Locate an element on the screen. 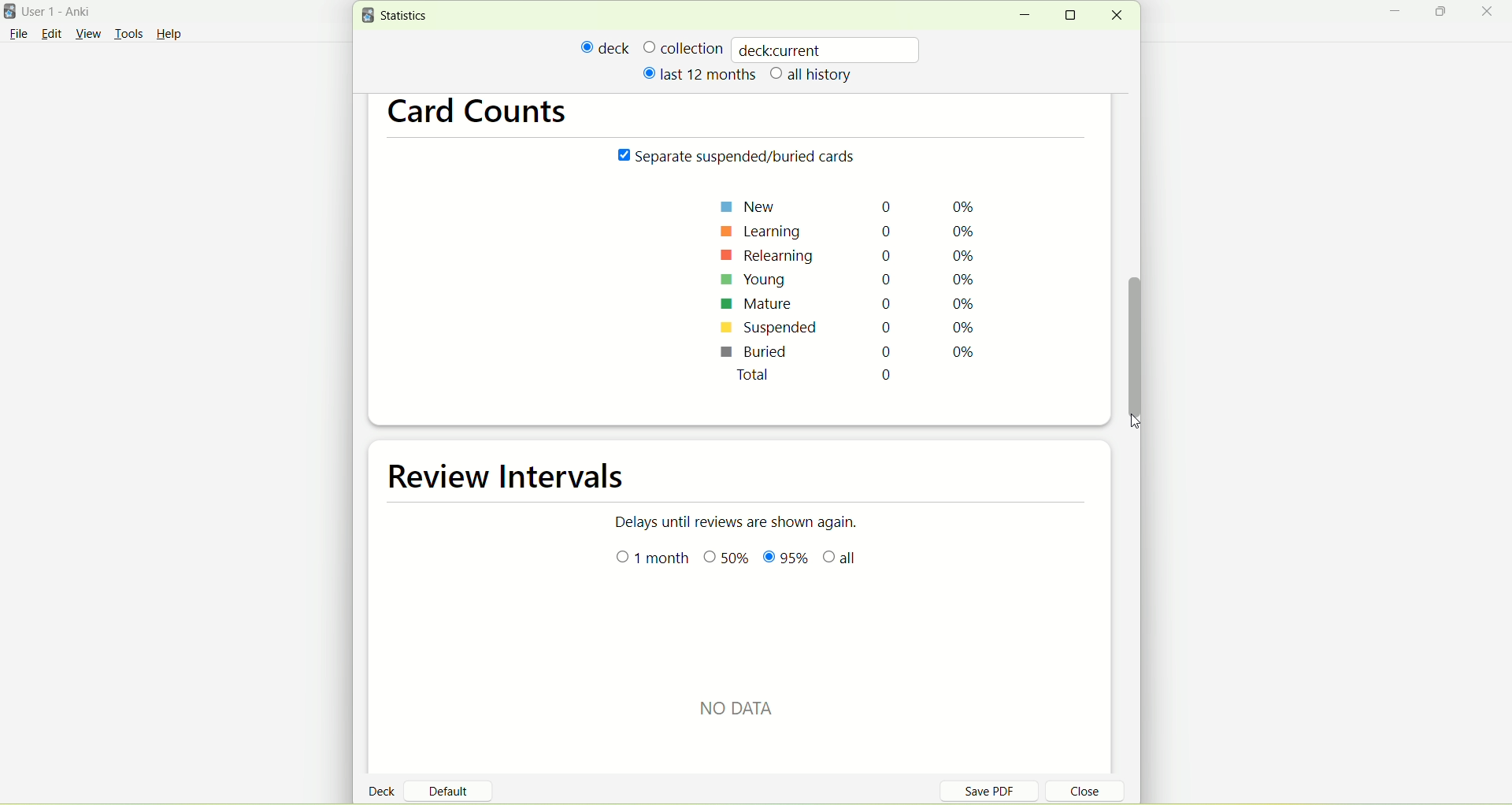 The height and width of the screenshot is (805, 1512). minimize is located at coordinates (1399, 13).